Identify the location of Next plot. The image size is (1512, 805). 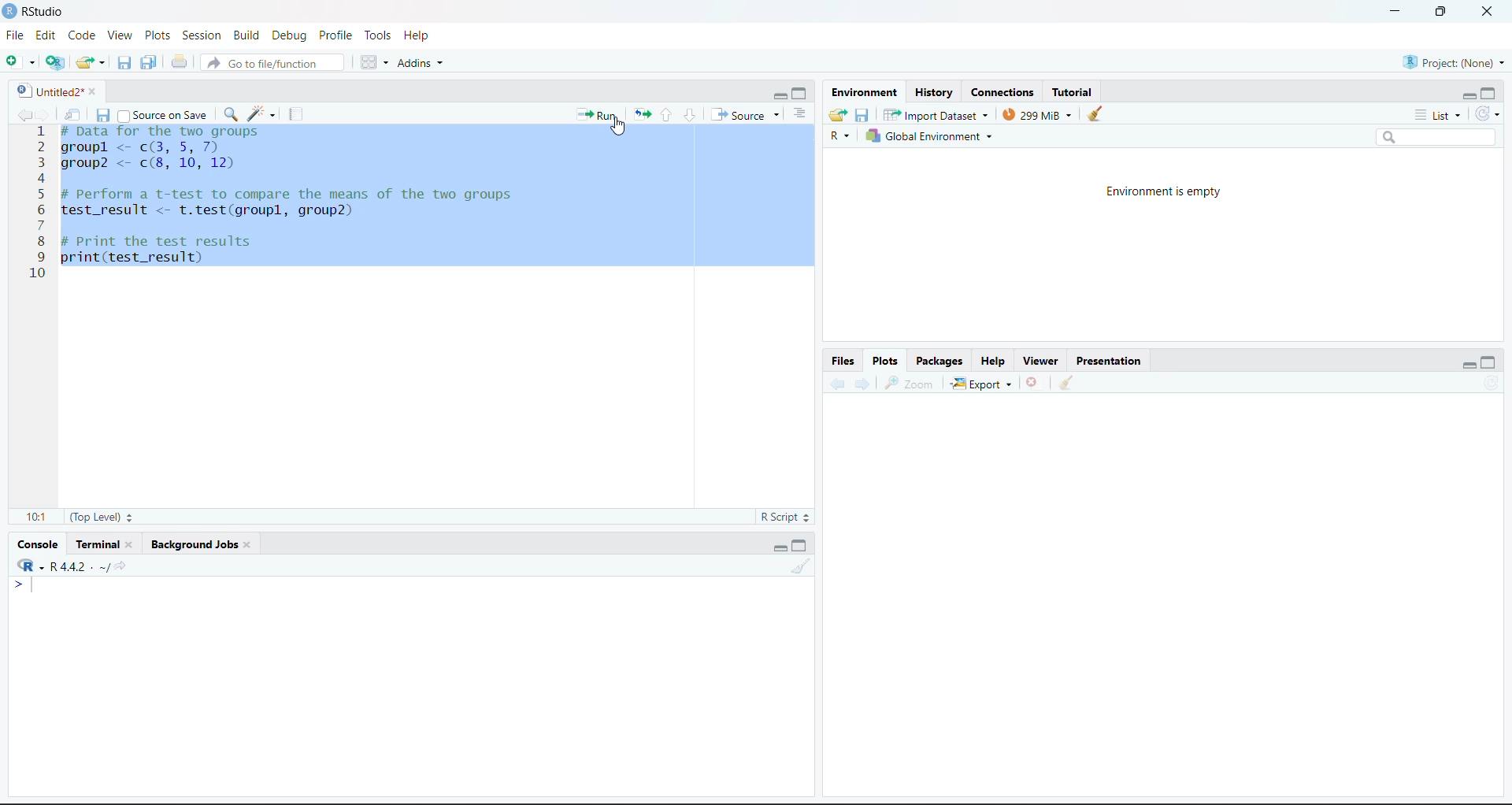
(865, 382).